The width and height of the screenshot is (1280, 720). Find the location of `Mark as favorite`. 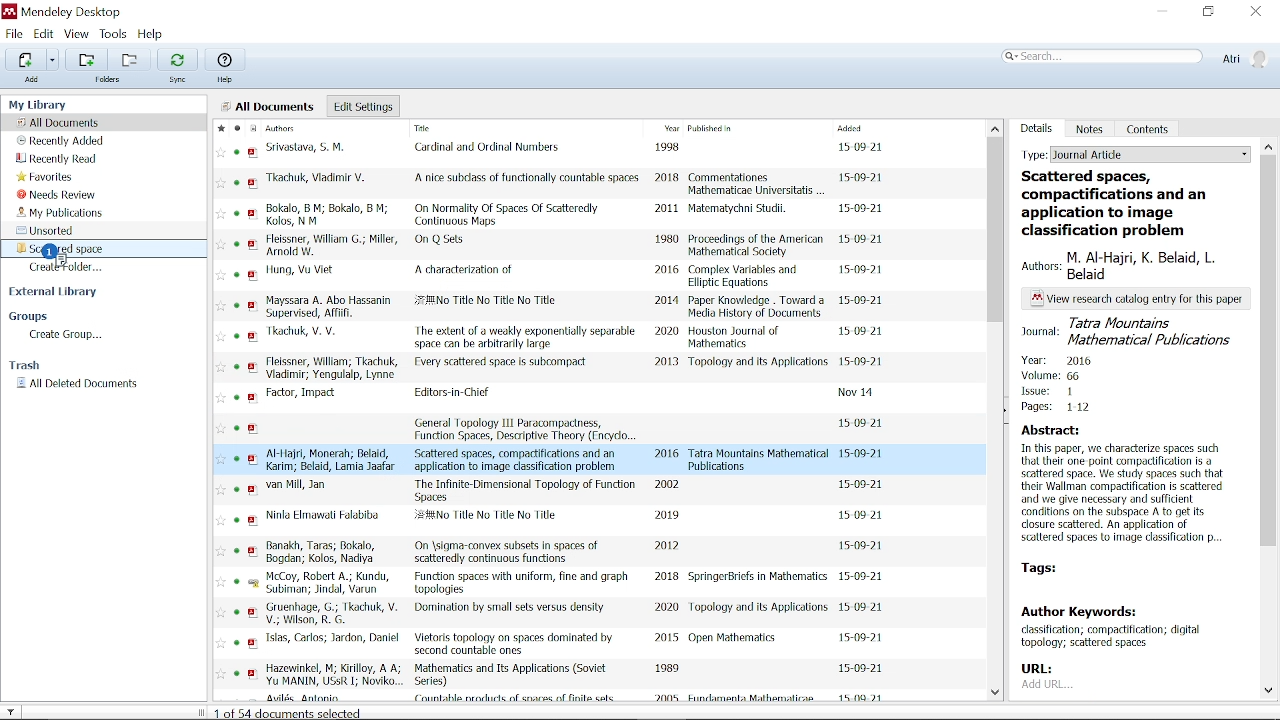

Mark as favorite is located at coordinates (219, 128).